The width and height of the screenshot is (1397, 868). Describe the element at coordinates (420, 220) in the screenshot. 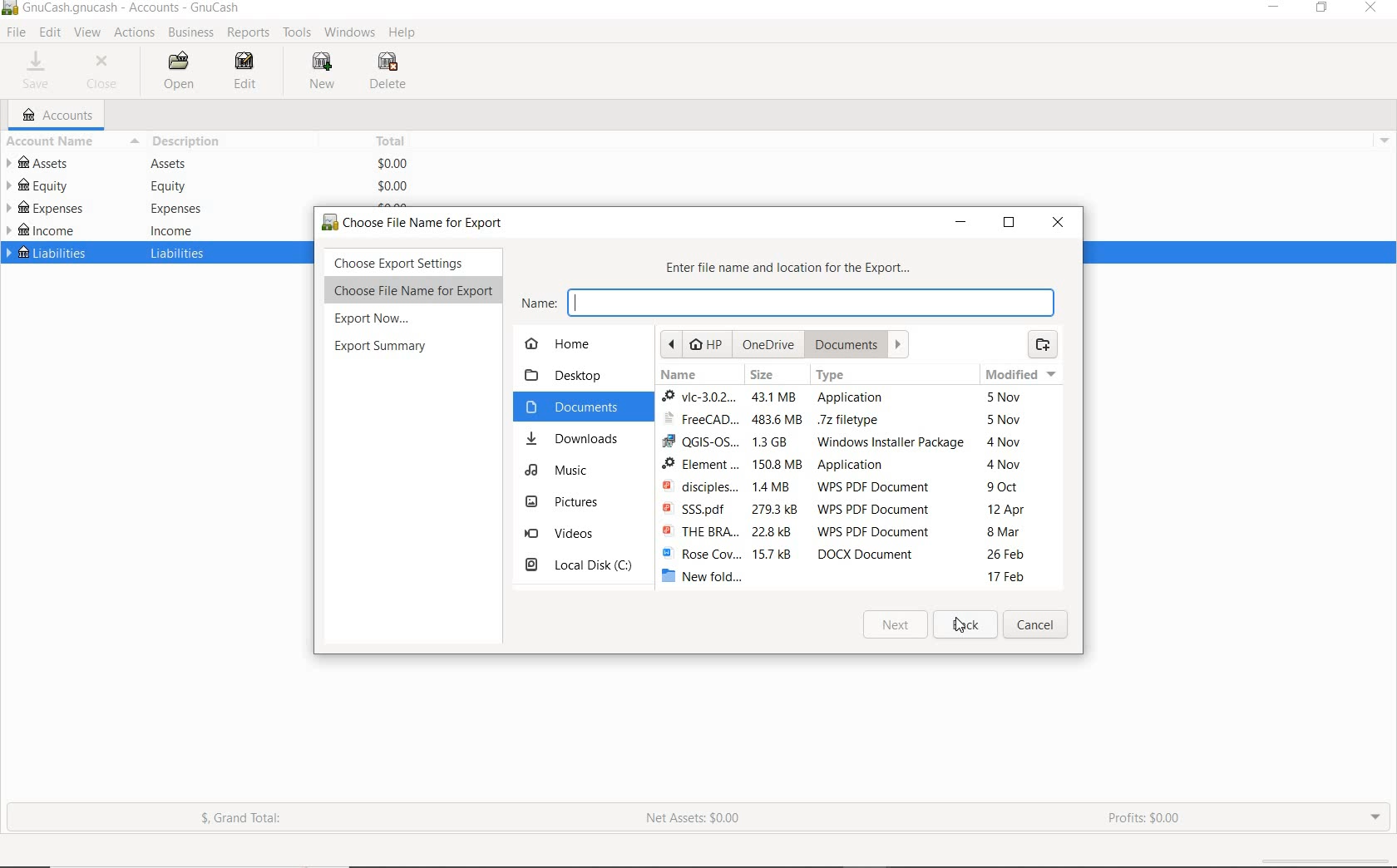

I see `choose file name for export` at that location.